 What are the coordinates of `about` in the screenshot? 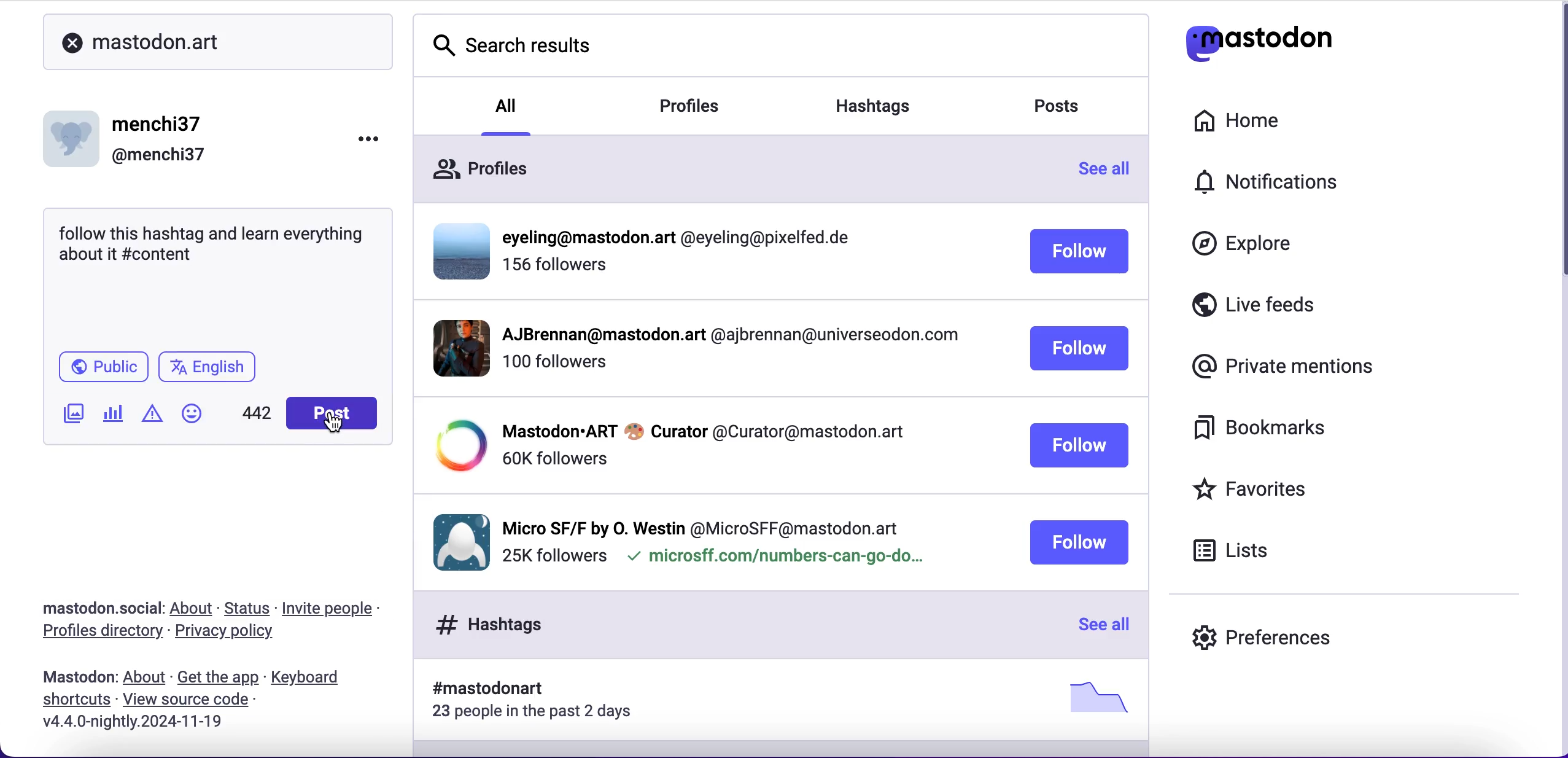 It's located at (144, 678).